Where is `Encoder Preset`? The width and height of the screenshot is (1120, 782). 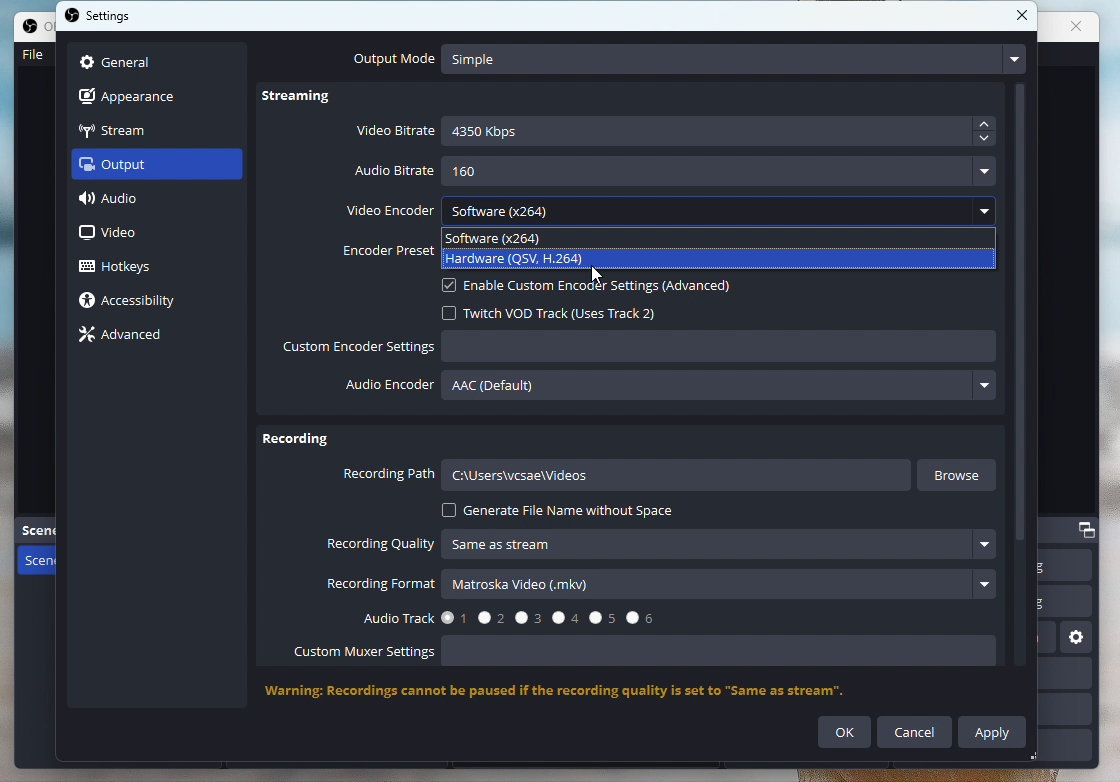
Encoder Preset is located at coordinates (383, 247).